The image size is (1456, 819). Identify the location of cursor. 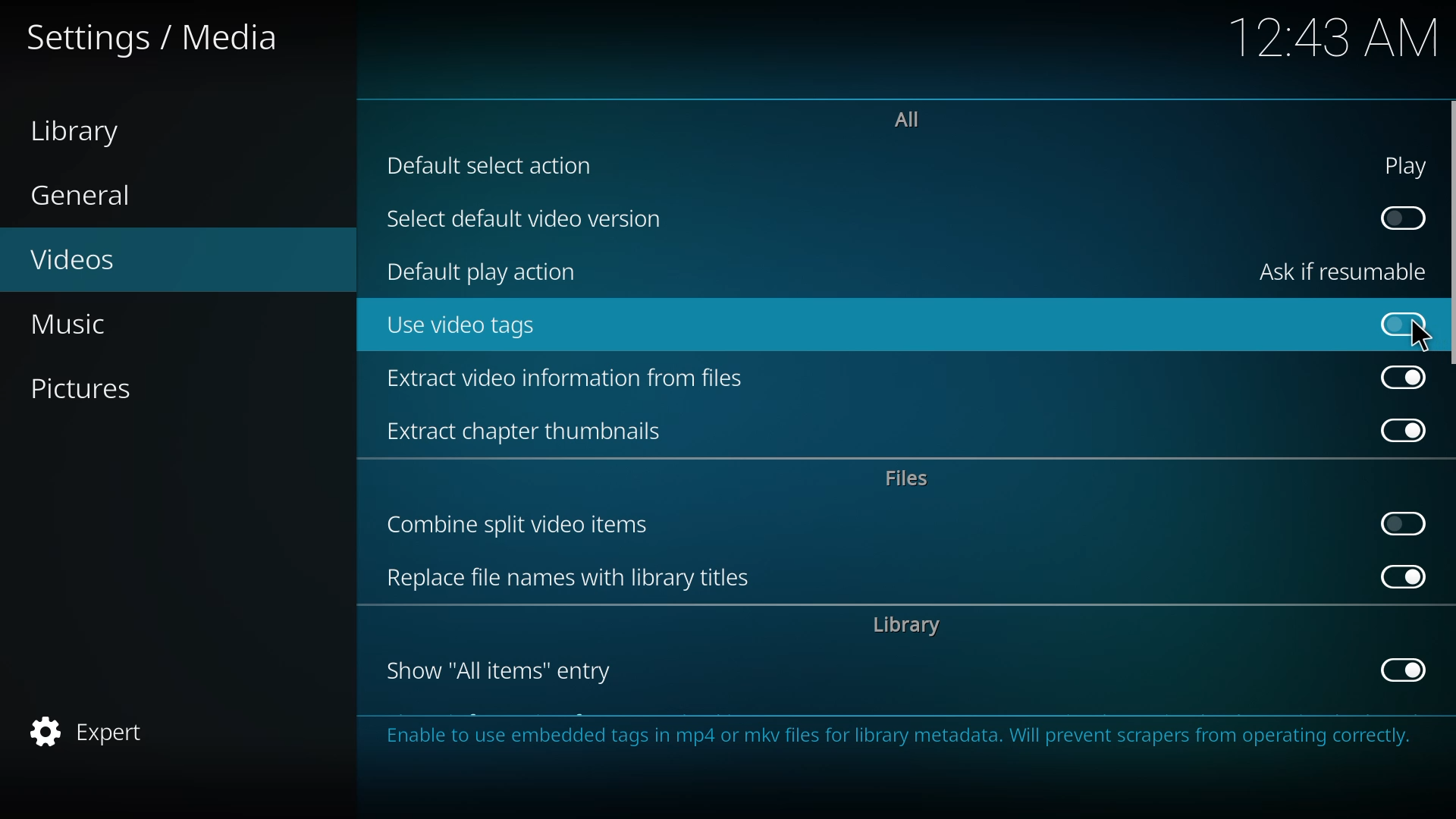
(1420, 337).